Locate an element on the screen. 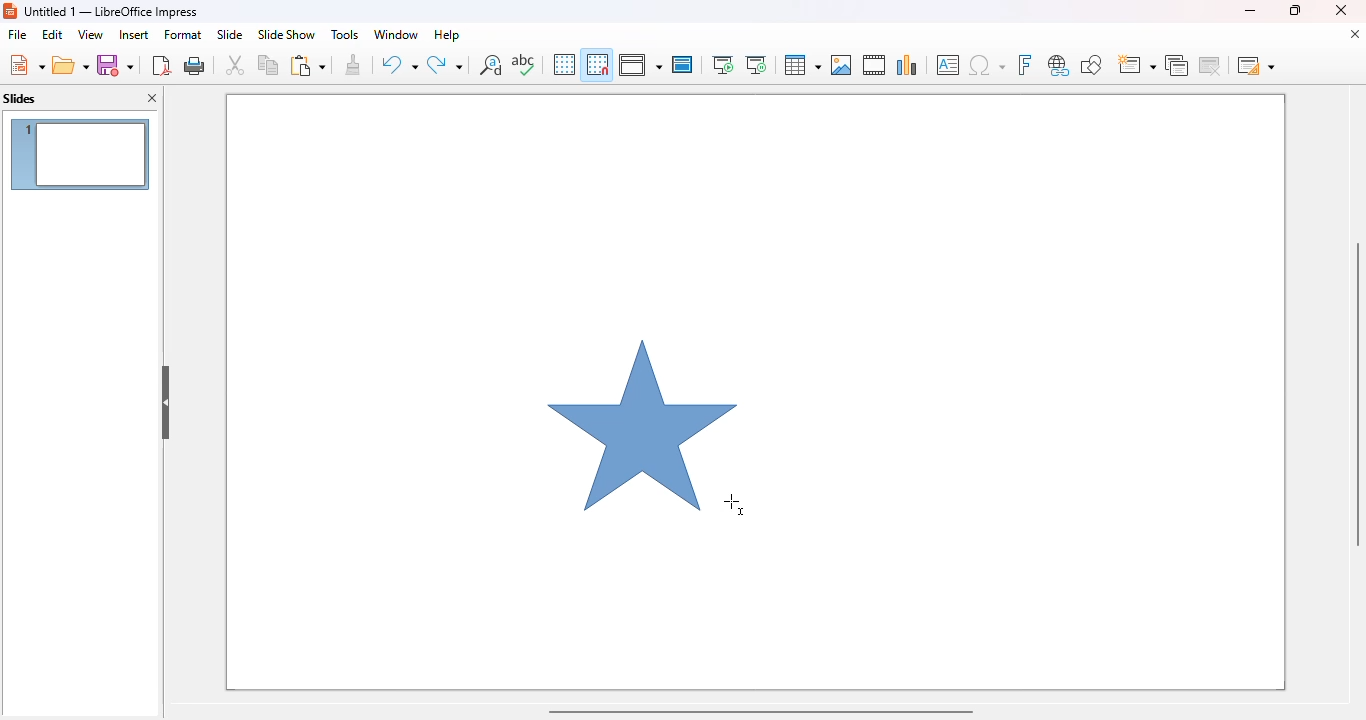 The width and height of the screenshot is (1366, 720). view is located at coordinates (90, 34).